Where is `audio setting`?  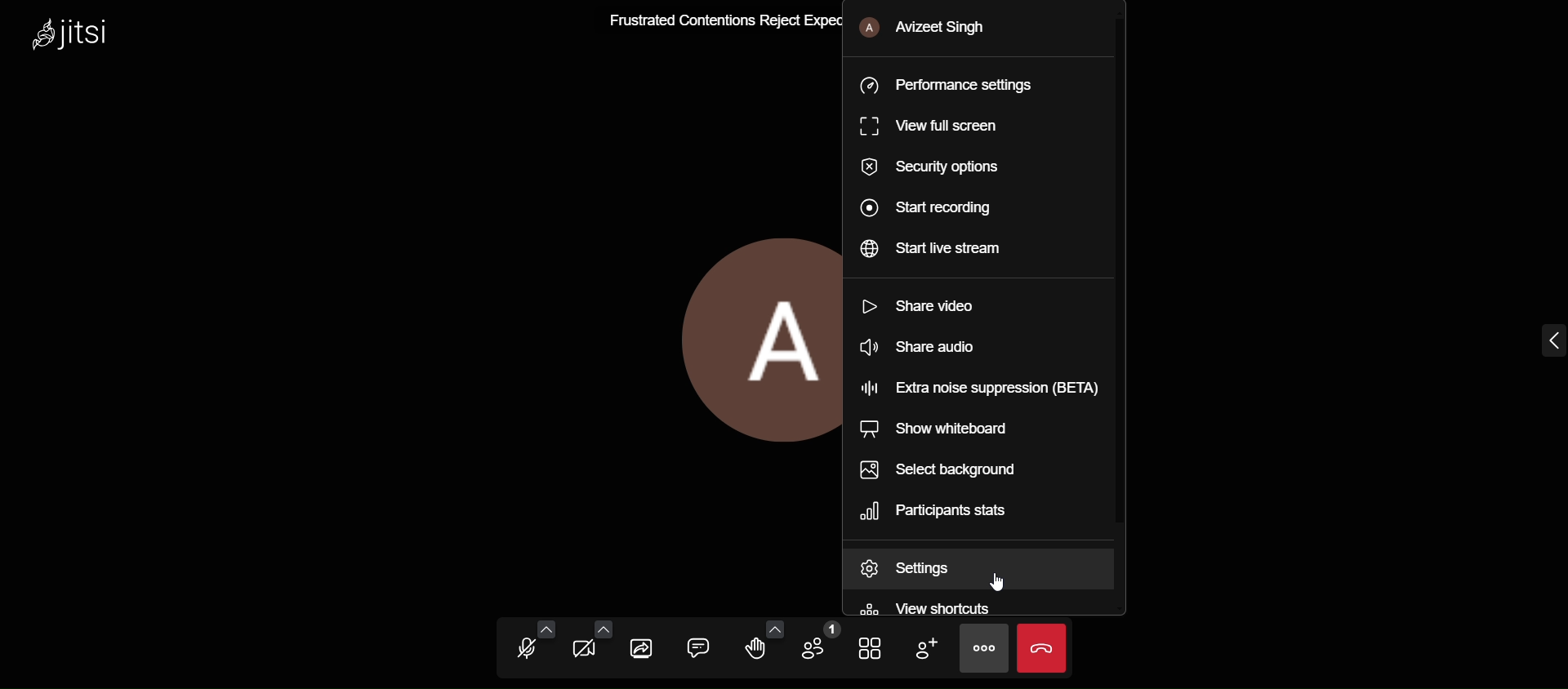 audio setting is located at coordinates (543, 619).